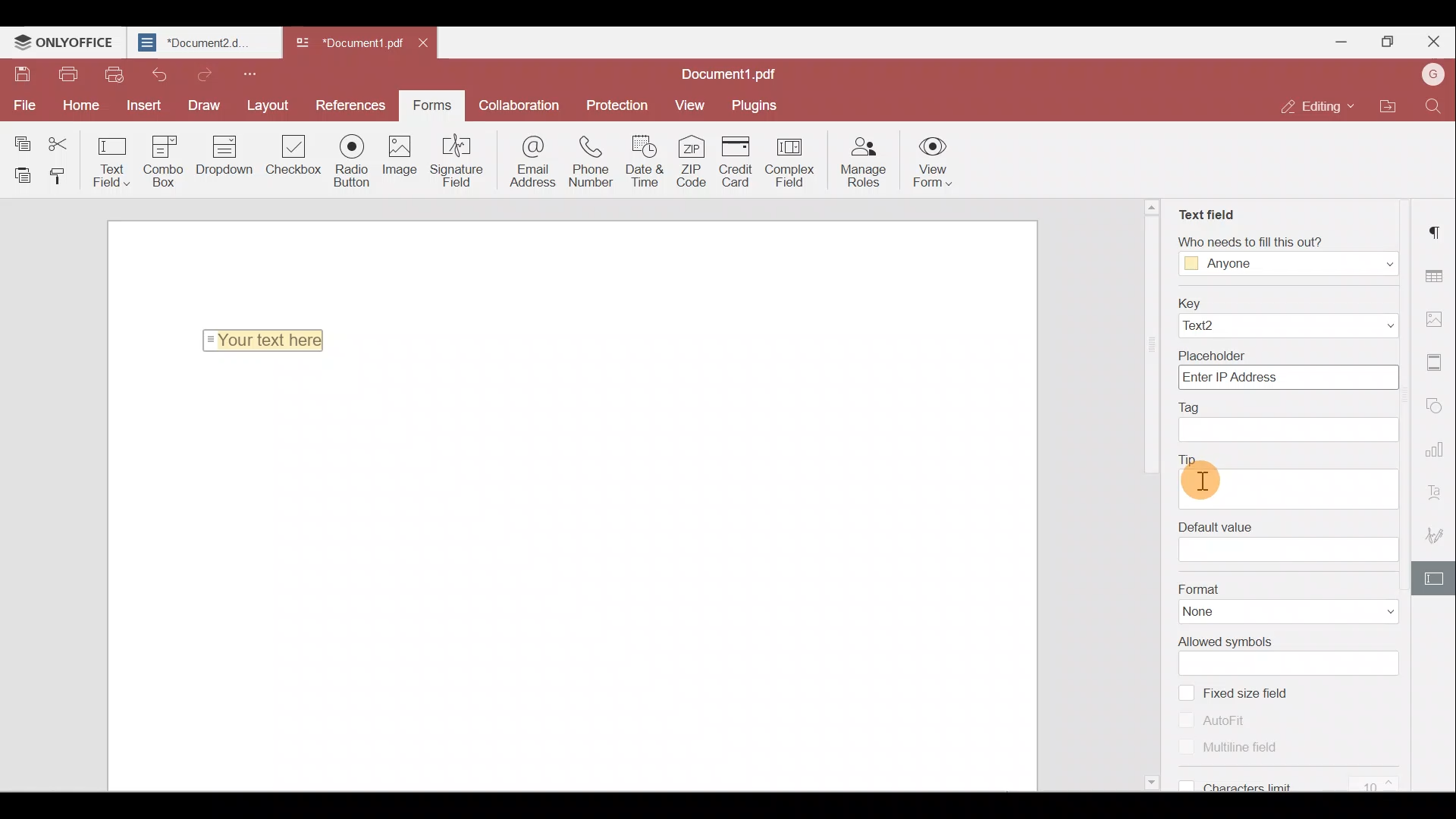 Image resolution: width=1456 pixels, height=819 pixels. I want to click on Radio button, so click(355, 162).